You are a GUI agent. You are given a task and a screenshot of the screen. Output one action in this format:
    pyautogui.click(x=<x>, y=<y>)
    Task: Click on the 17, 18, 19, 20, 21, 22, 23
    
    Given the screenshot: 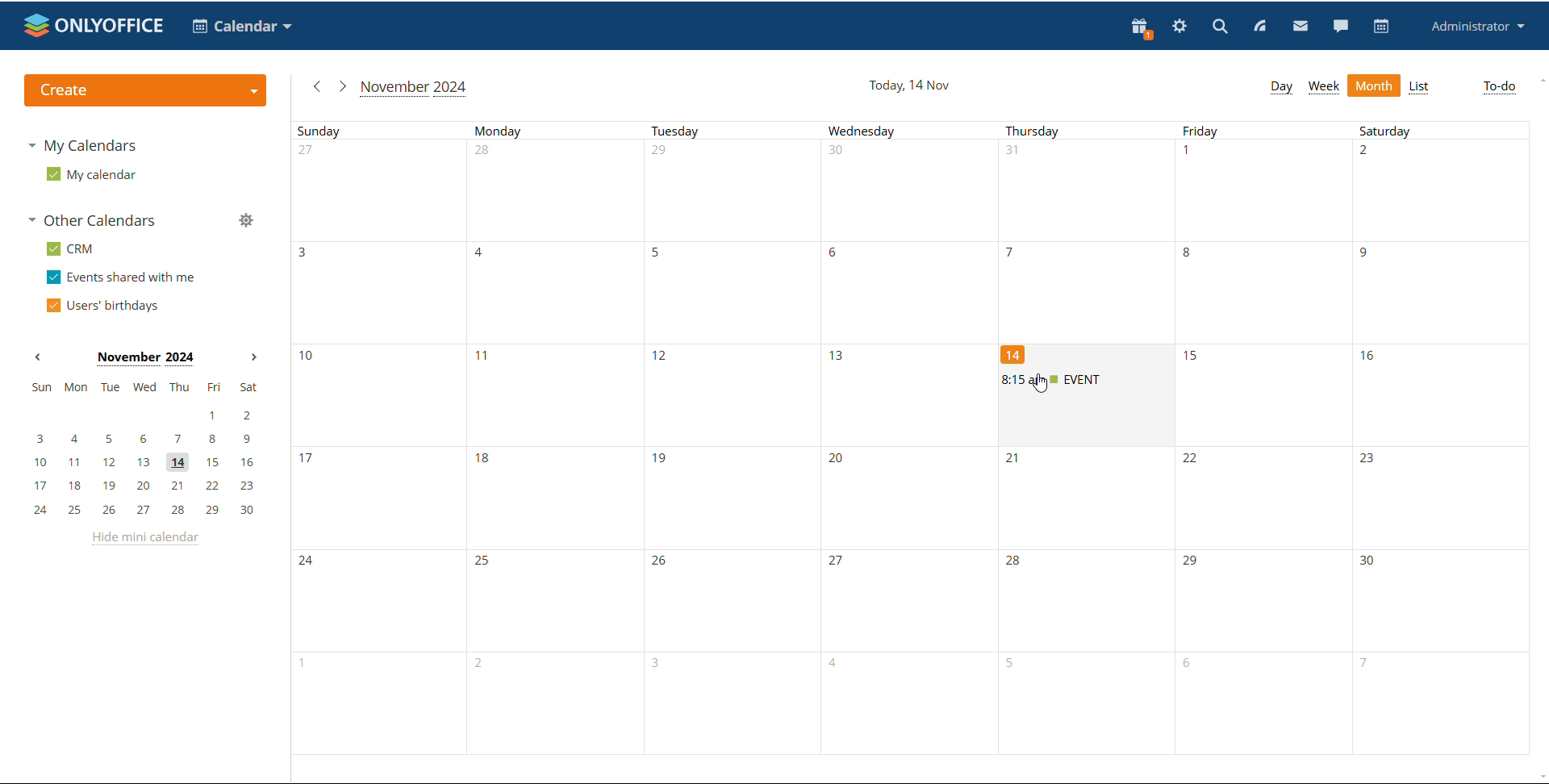 What is the action you would take?
    pyautogui.click(x=717, y=498)
    